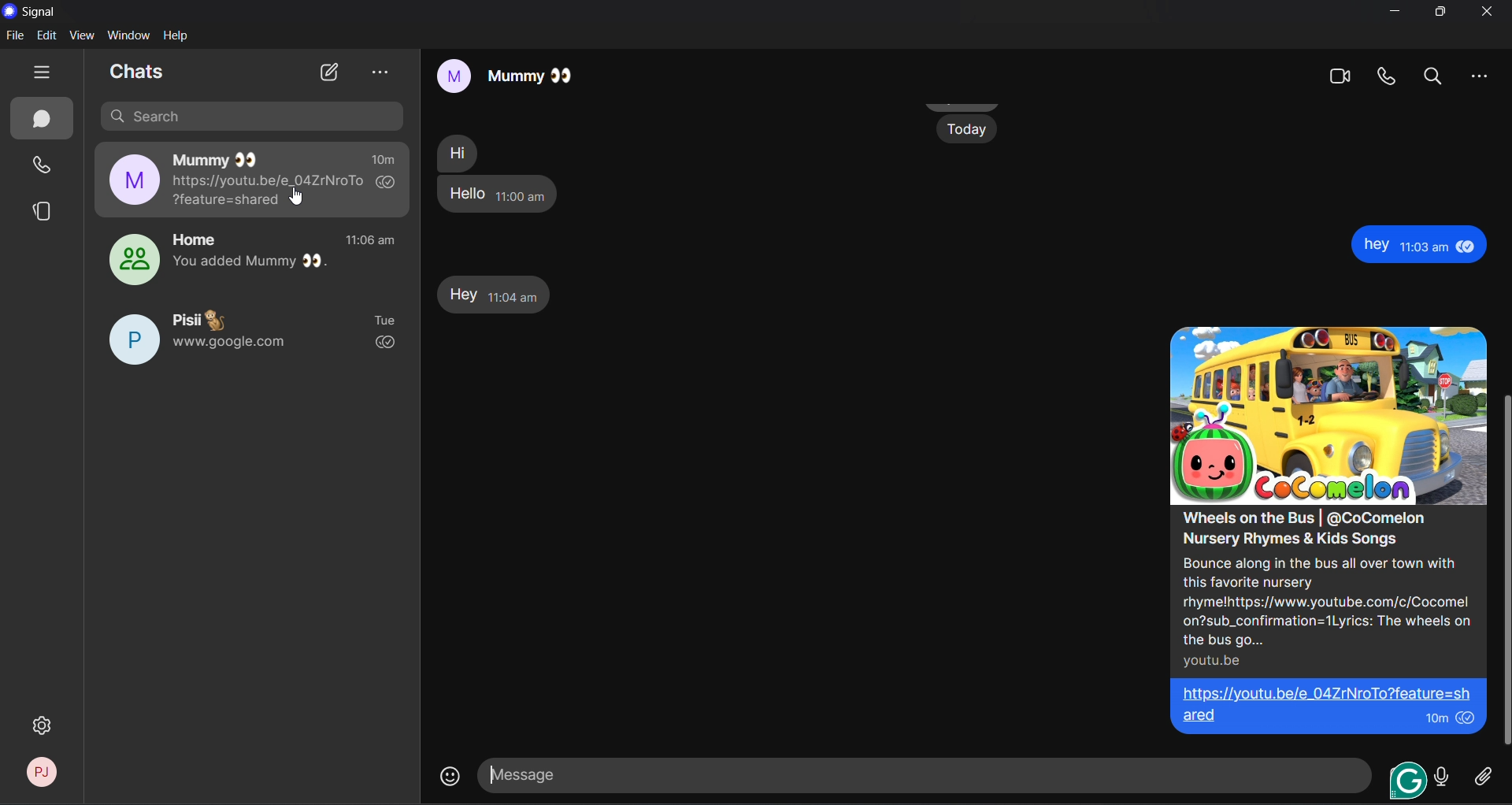  I want to click on more, so click(1485, 76).